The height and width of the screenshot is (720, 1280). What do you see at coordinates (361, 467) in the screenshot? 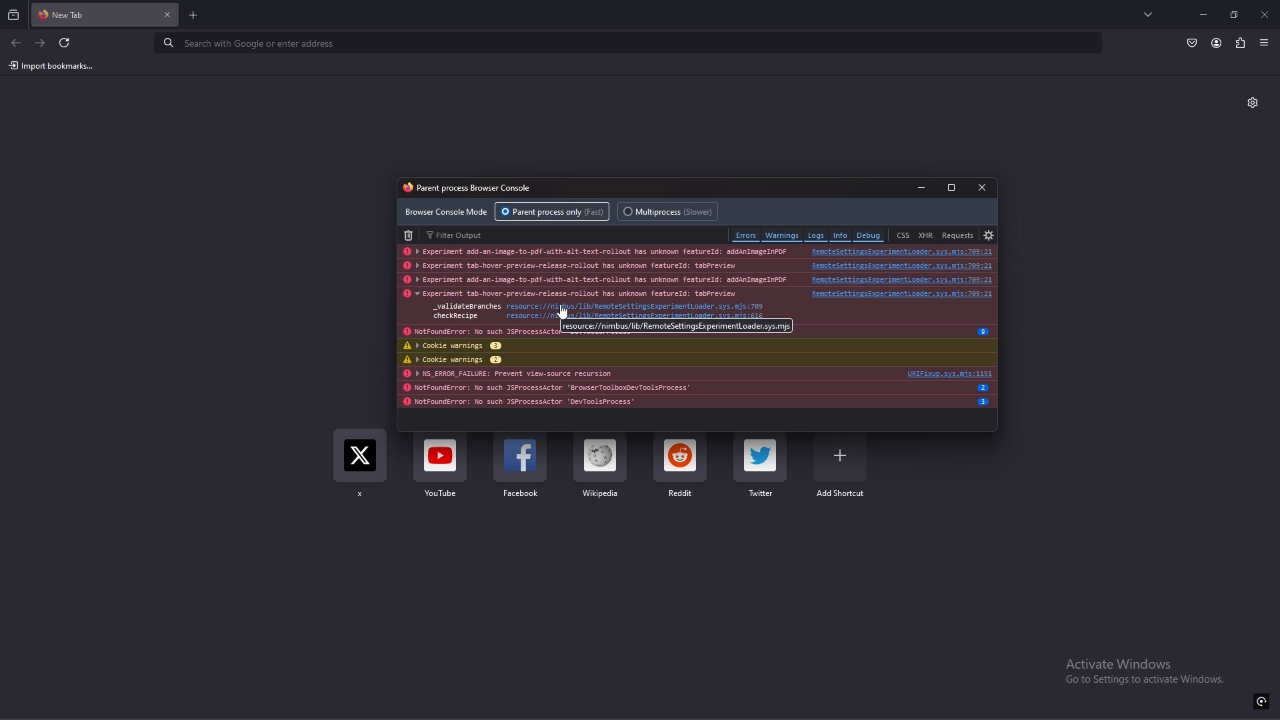
I see `x` at bounding box center [361, 467].